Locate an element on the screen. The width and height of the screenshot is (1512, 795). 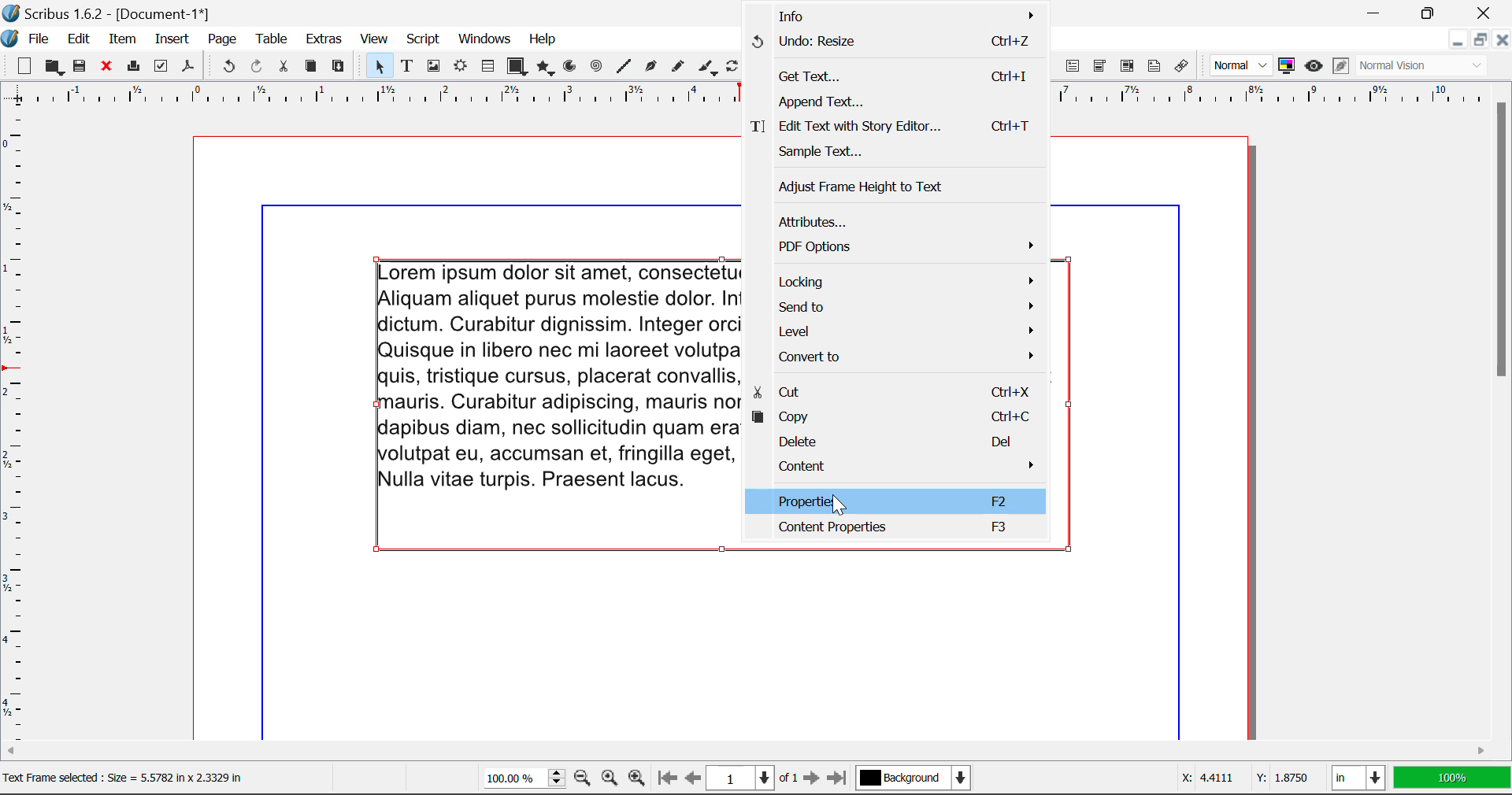
Polygons is located at coordinates (545, 69).